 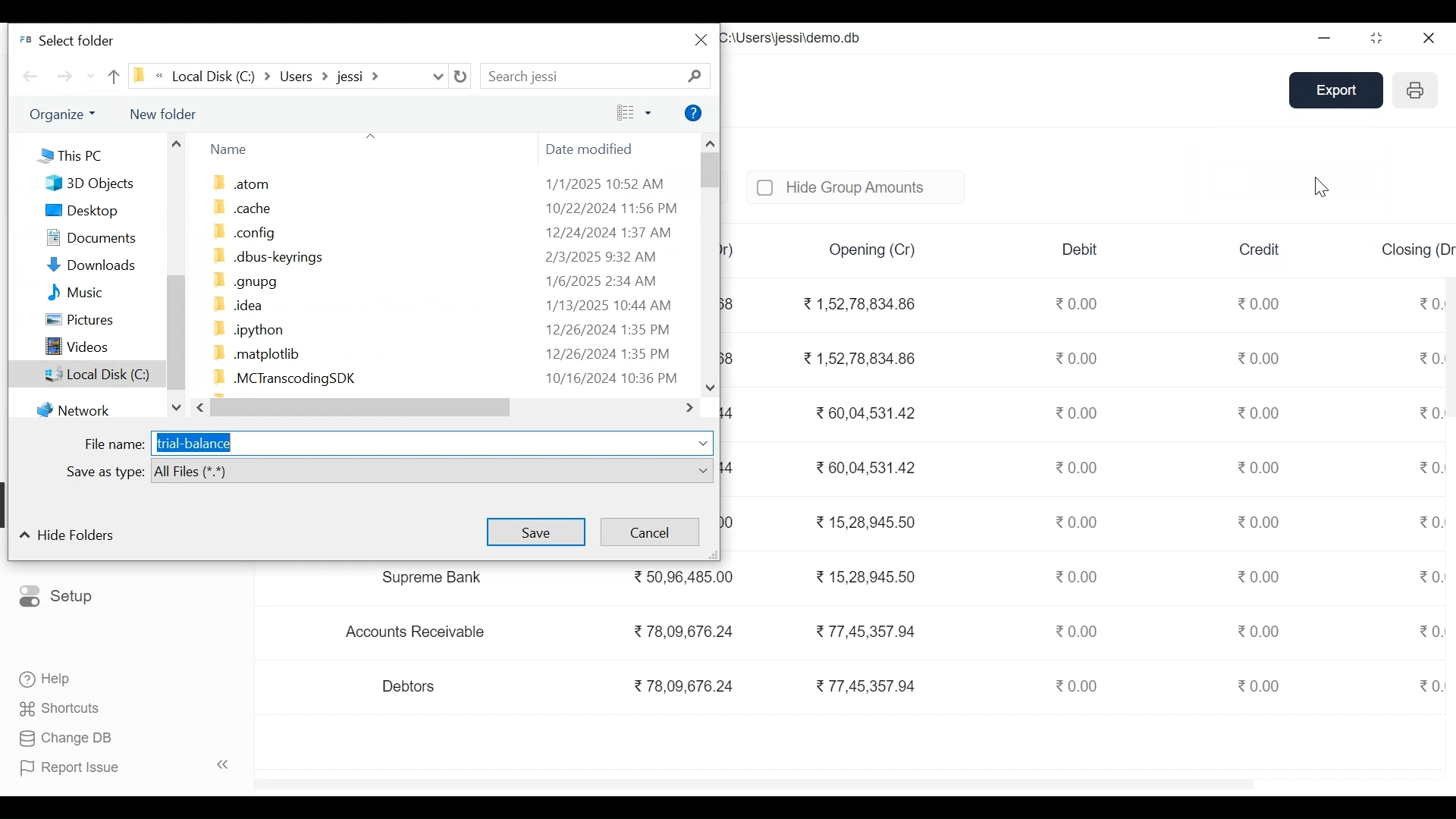 What do you see at coordinates (75, 408) in the screenshot?
I see `Network` at bounding box center [75, 408].